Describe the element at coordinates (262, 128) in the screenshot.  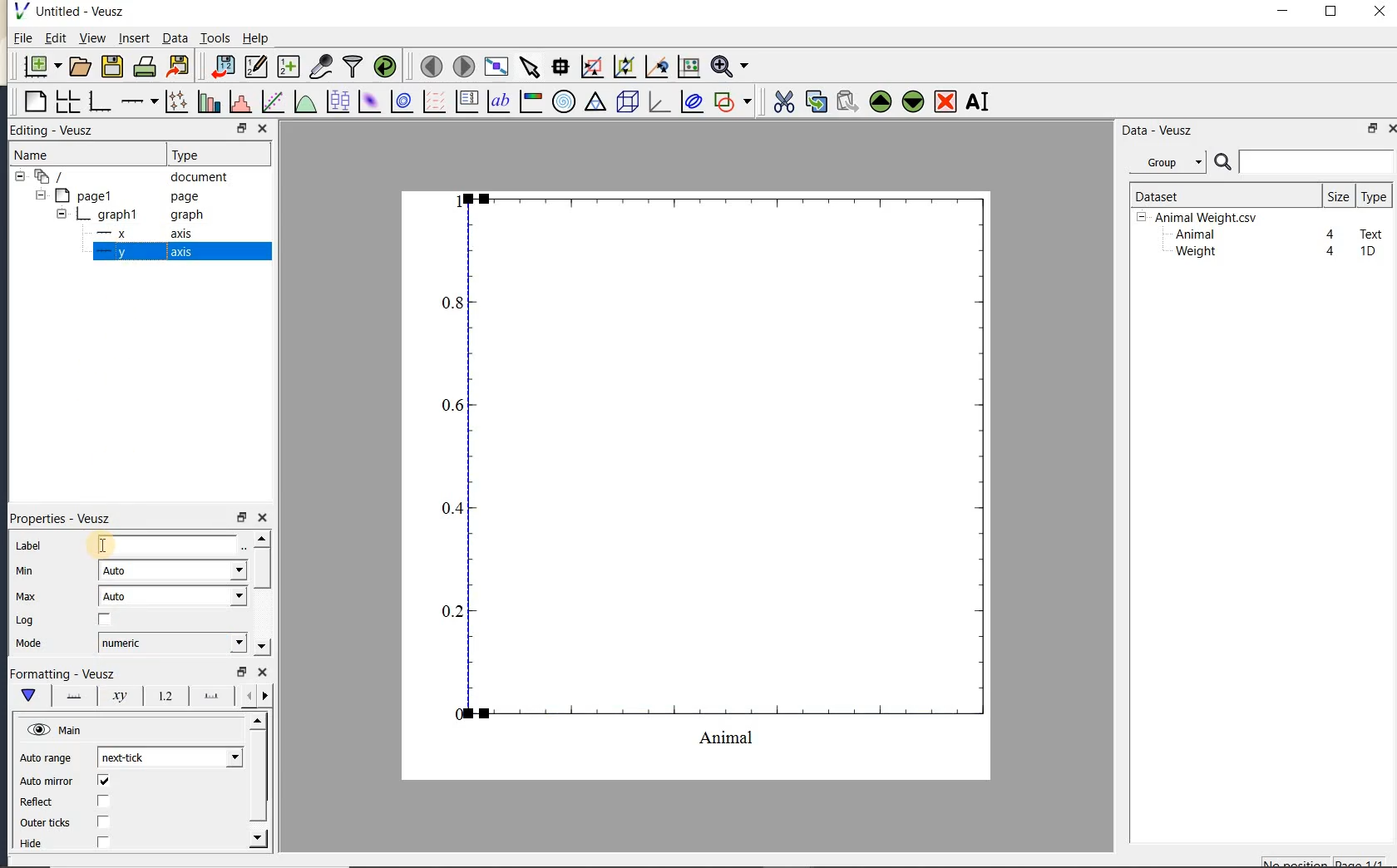
I see `CLOSE` at that location.